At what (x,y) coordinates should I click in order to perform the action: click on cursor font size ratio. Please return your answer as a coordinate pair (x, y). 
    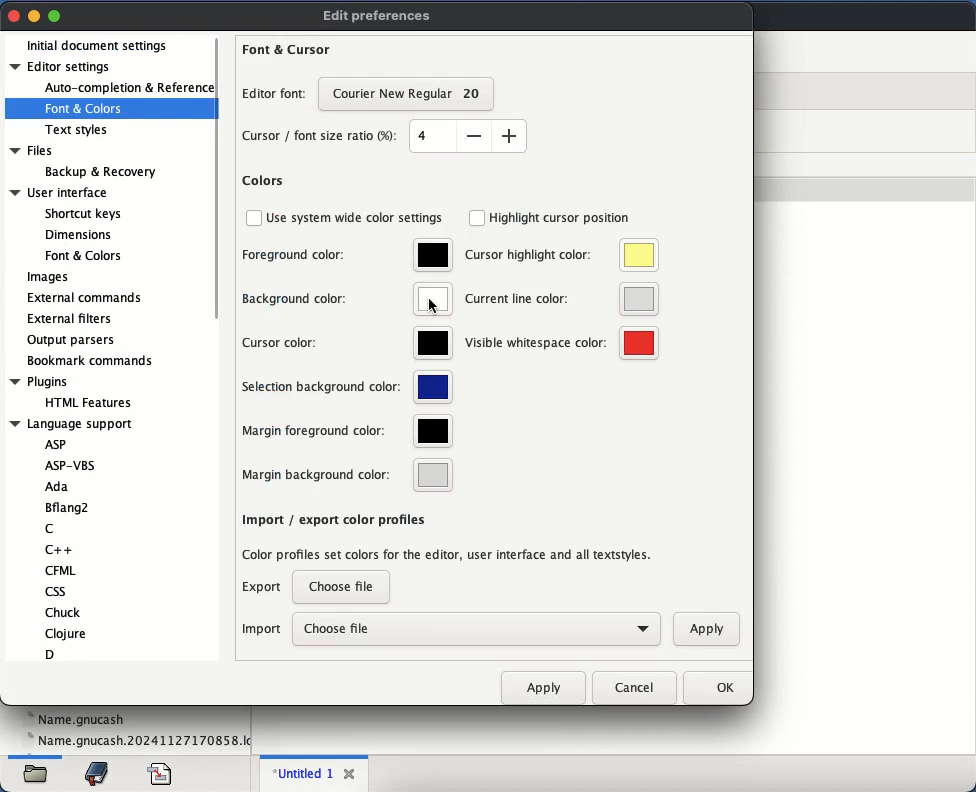
    Looking at the image, I should click on (323, 137).